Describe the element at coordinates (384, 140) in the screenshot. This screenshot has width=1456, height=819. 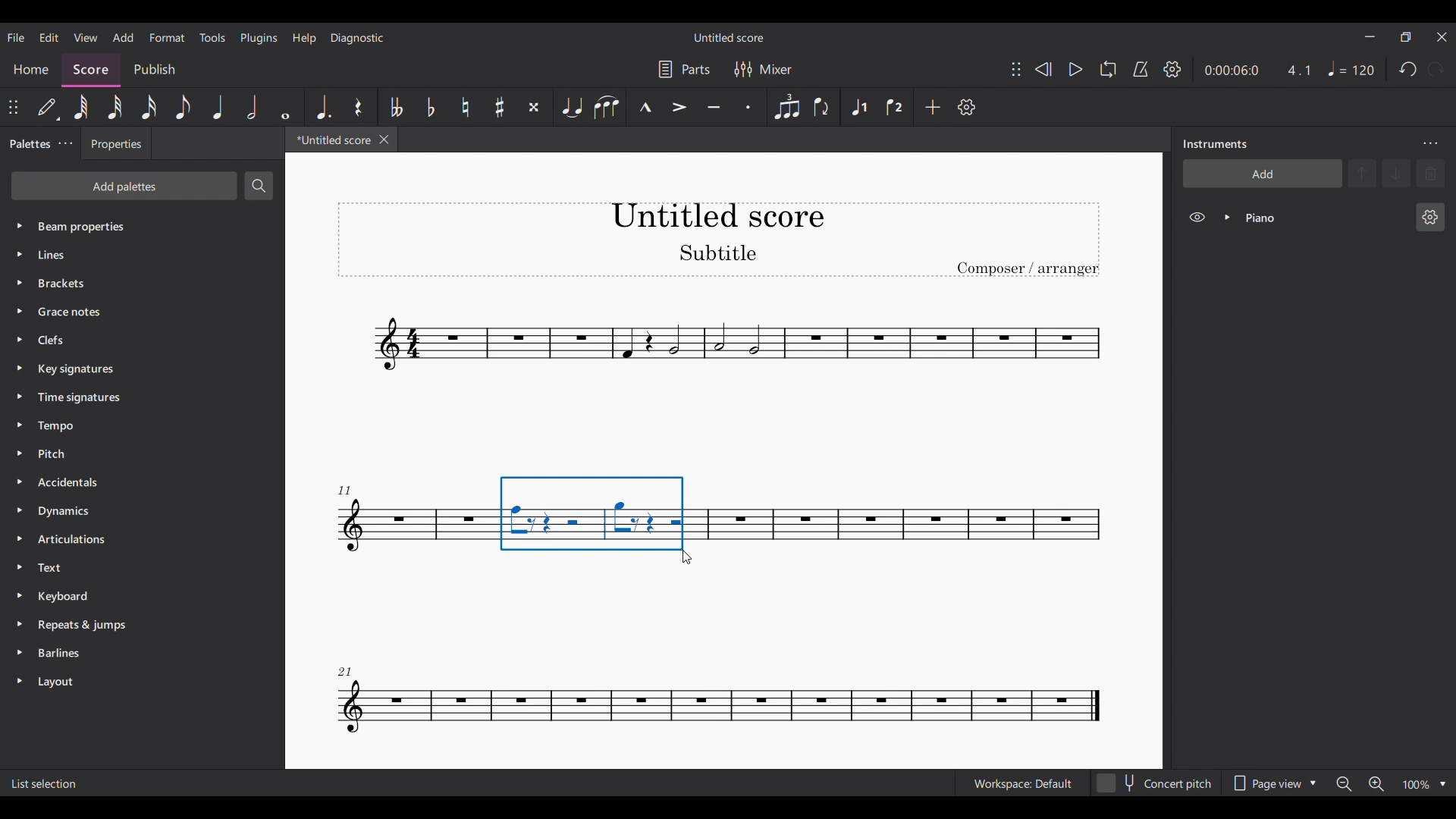
I see `Close tab` at that location.